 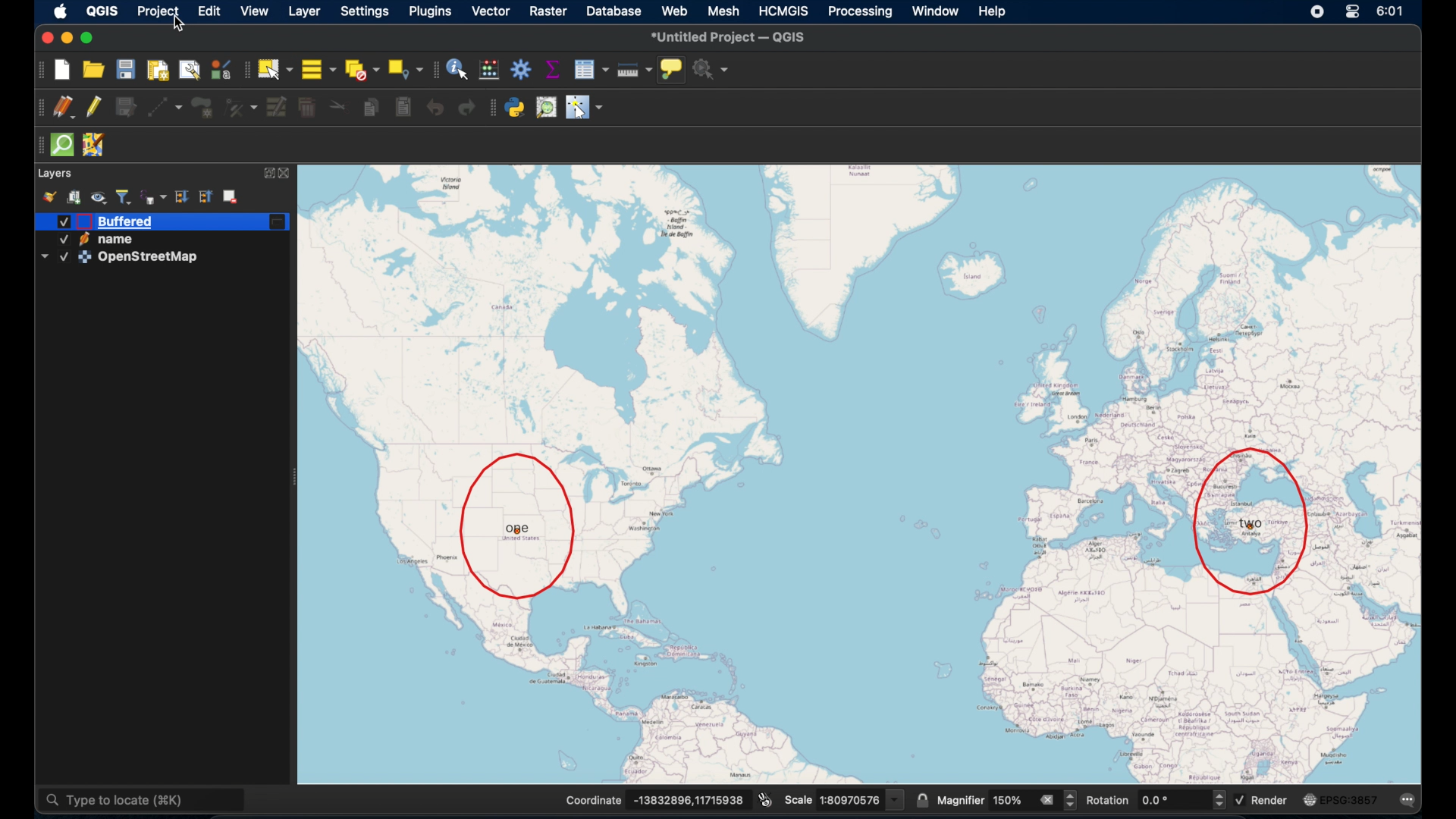 I want to click on Checked checkbox, so click(x=1241, y=800).